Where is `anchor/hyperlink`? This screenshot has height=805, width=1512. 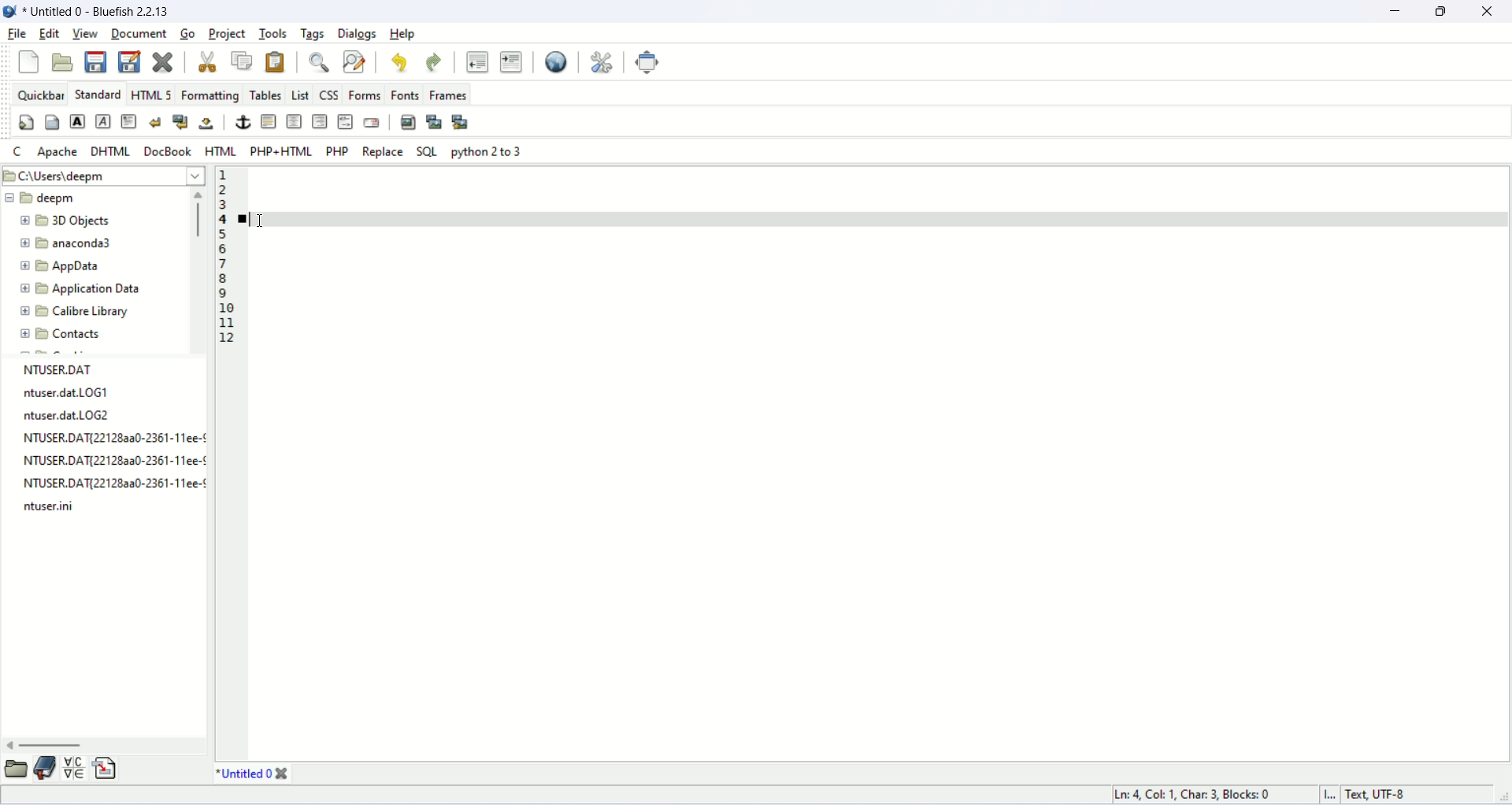
anchor/hyperlink is located at coordinates (241, 121).